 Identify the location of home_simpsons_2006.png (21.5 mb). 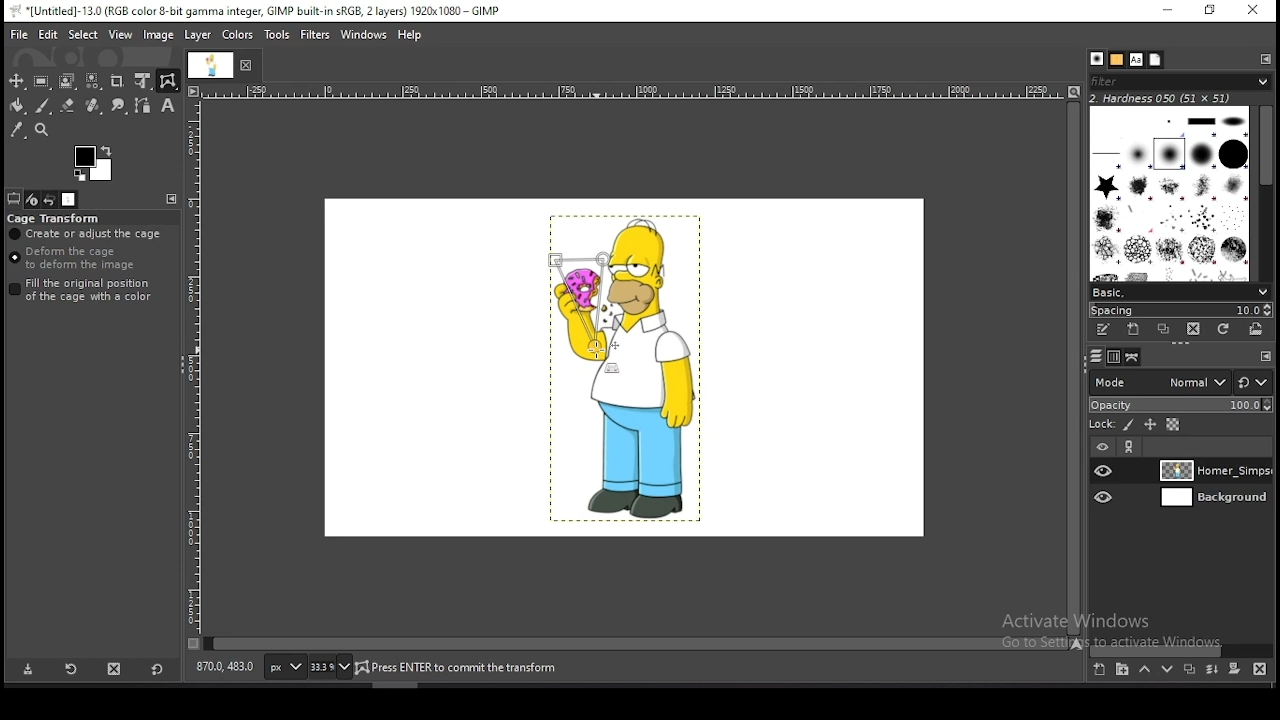
(462, 669).